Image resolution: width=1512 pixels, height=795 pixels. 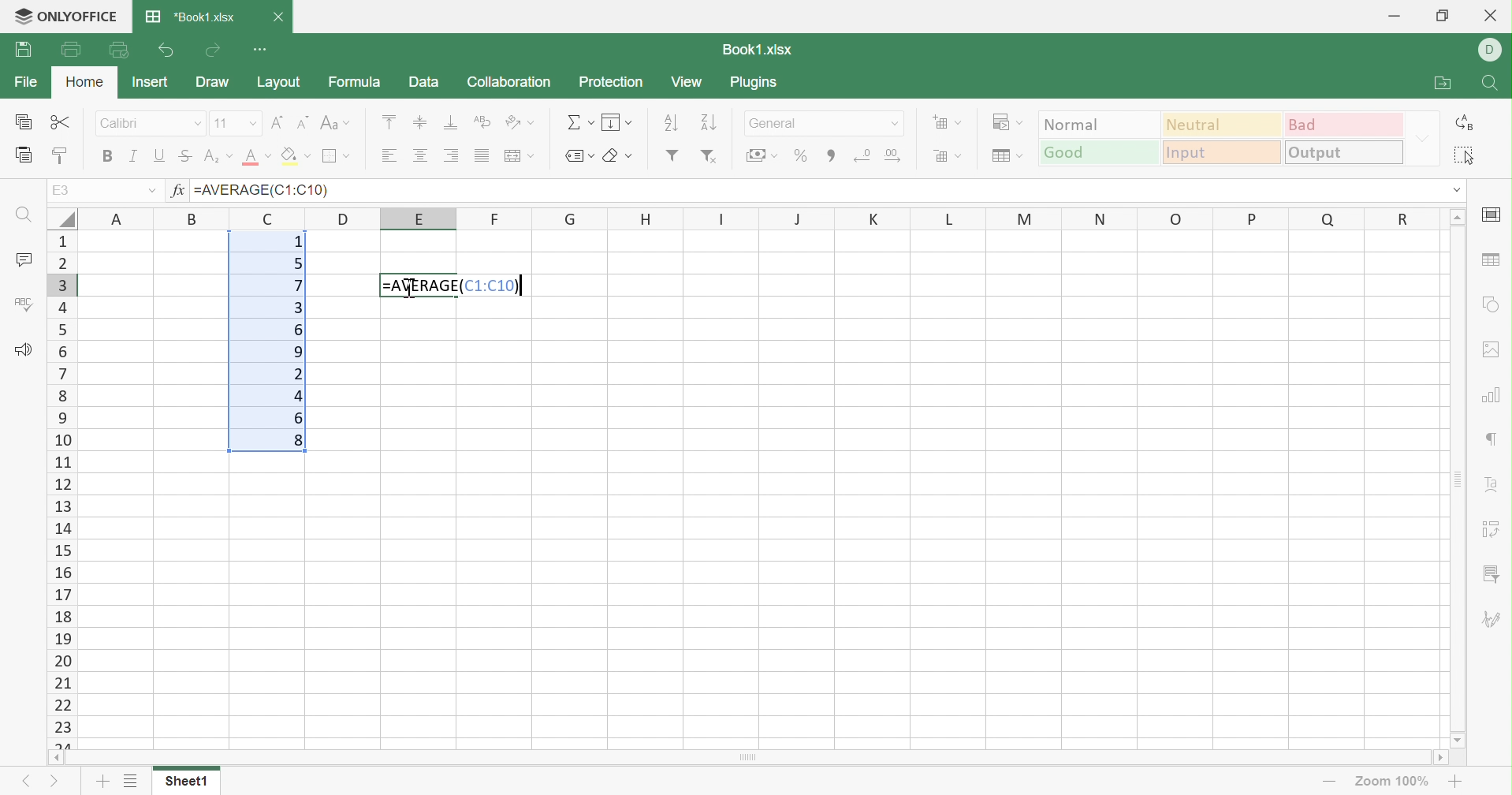 What do you see at coordinates (1458, 192) in the screenshot?
I see `Drop Down` at bounding box center [1458, 192].